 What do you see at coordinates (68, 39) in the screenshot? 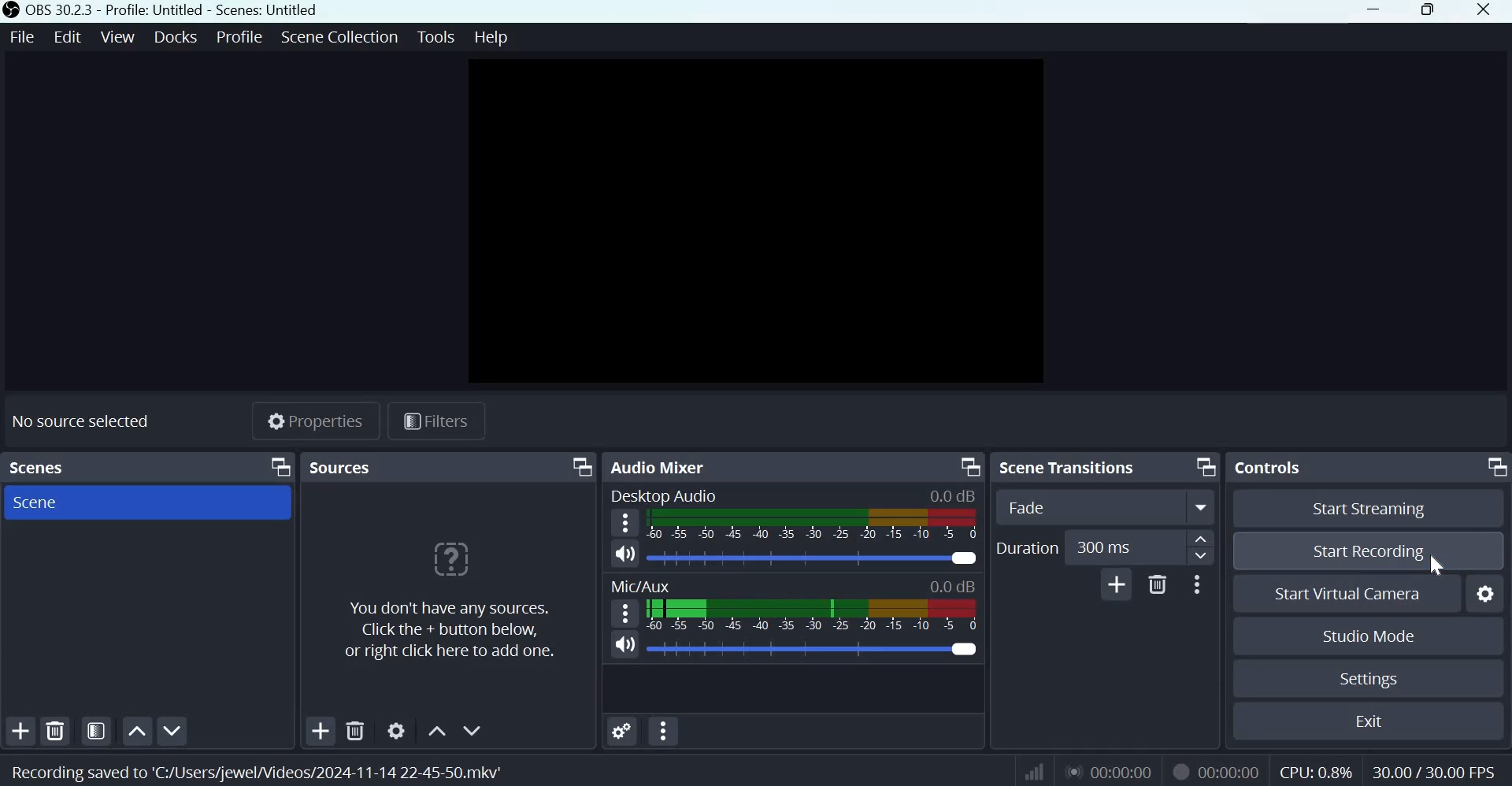
I see `Edit` at bounding box center [68, 39].